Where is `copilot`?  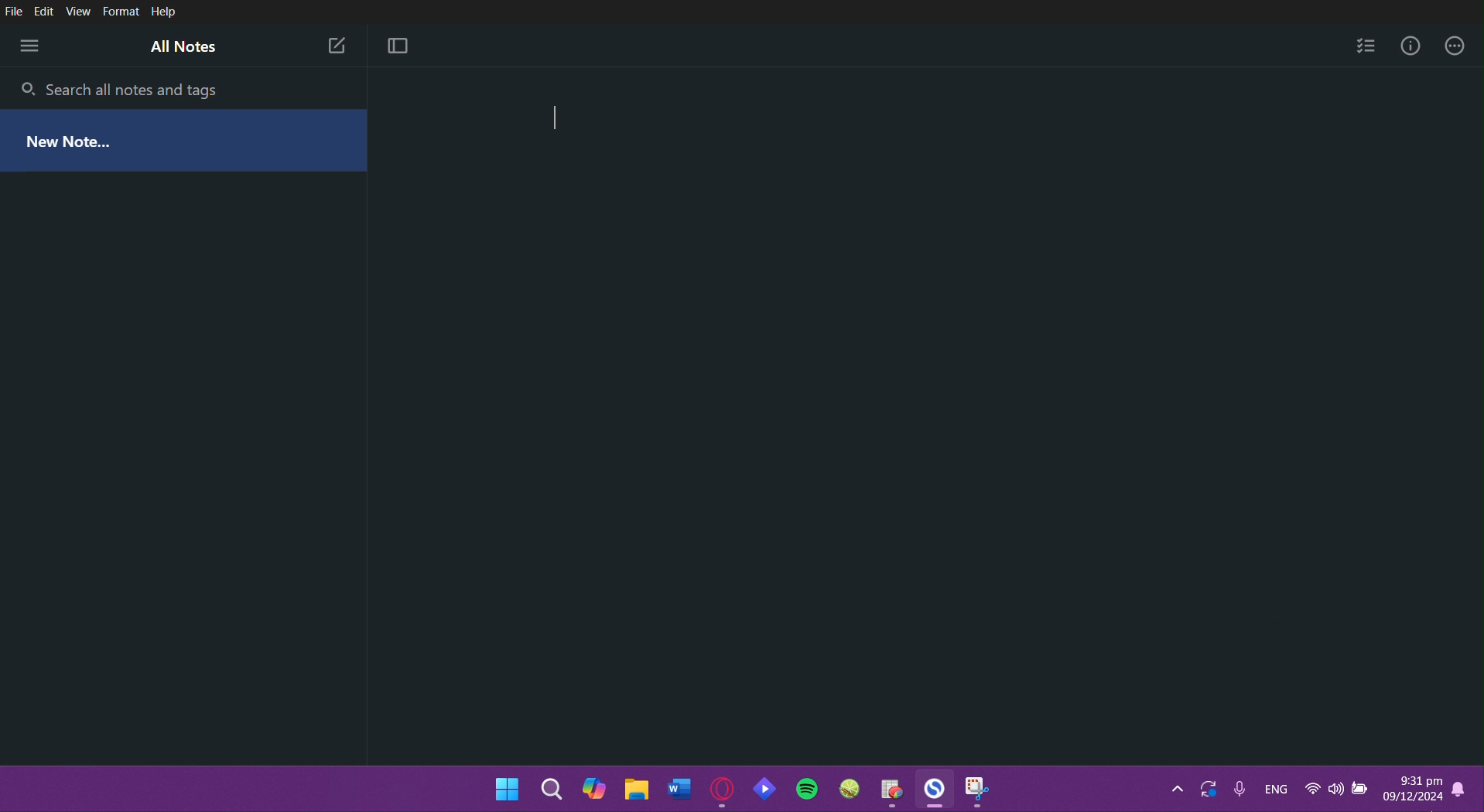 copilot is located at coordinates (595, 787).